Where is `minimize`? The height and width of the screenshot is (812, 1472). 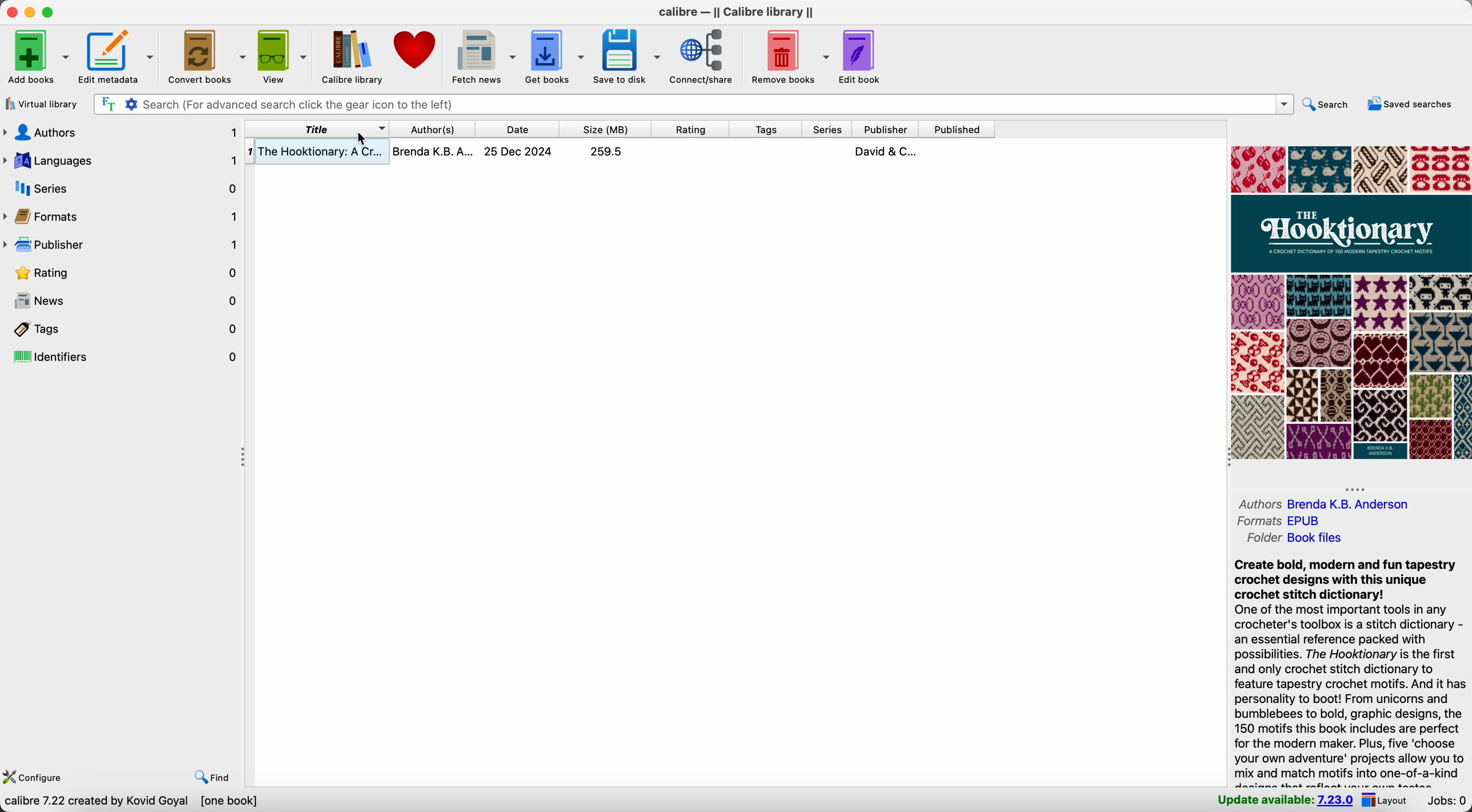
minimize is located at coordinates (33, 12).